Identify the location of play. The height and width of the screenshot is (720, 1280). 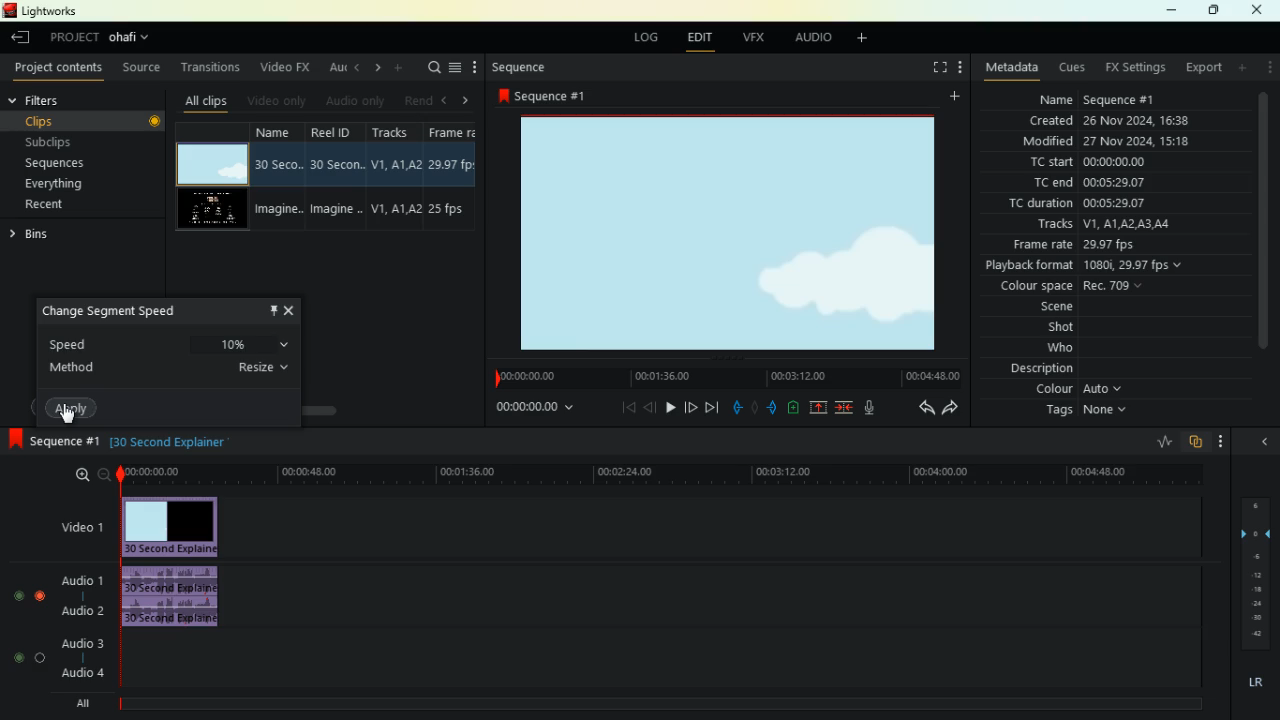
(670, 406).